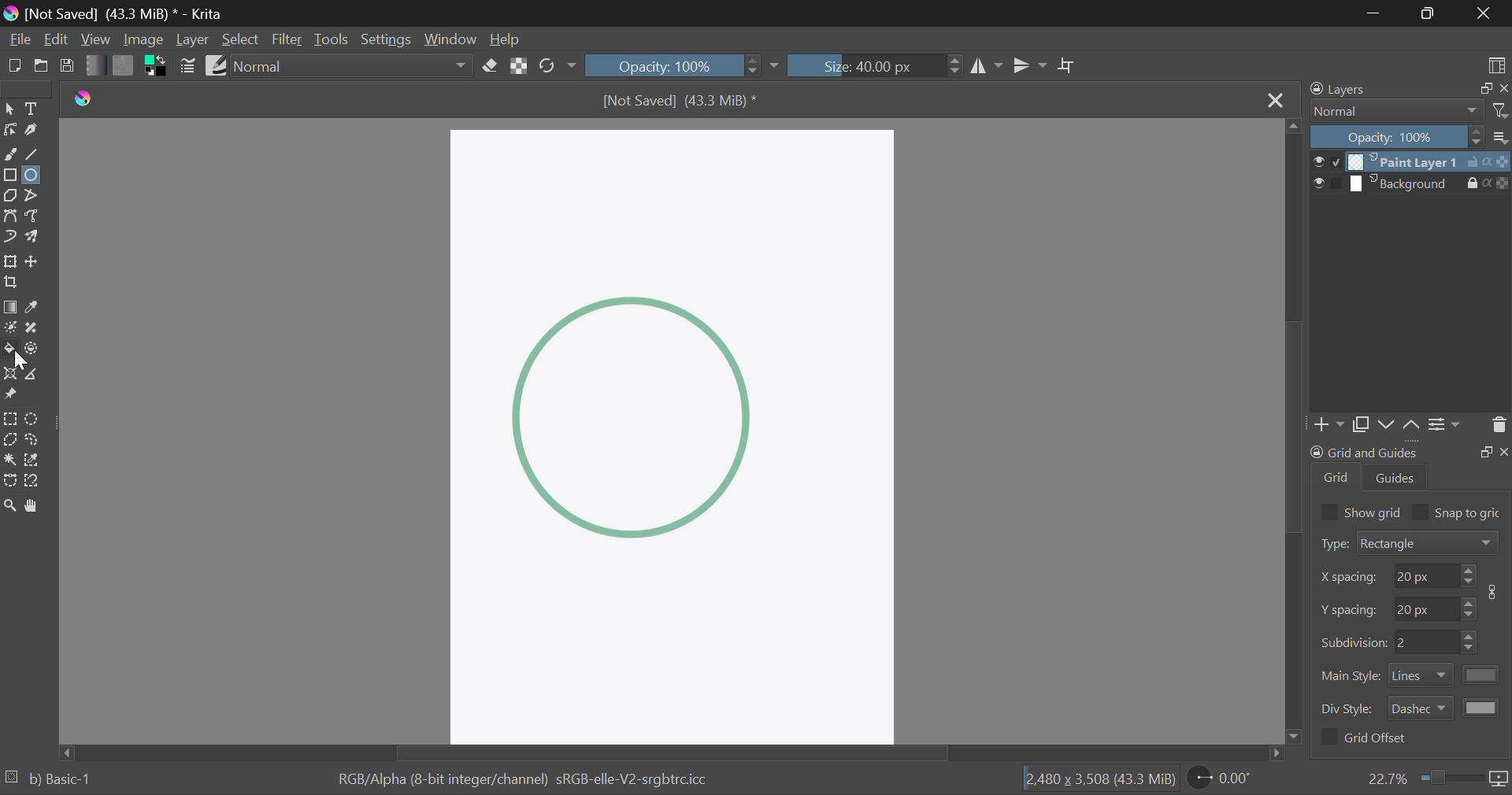 The height and width of the screenshot is (795, 1512). I want to click on Eyedropper, so click(35, 306).